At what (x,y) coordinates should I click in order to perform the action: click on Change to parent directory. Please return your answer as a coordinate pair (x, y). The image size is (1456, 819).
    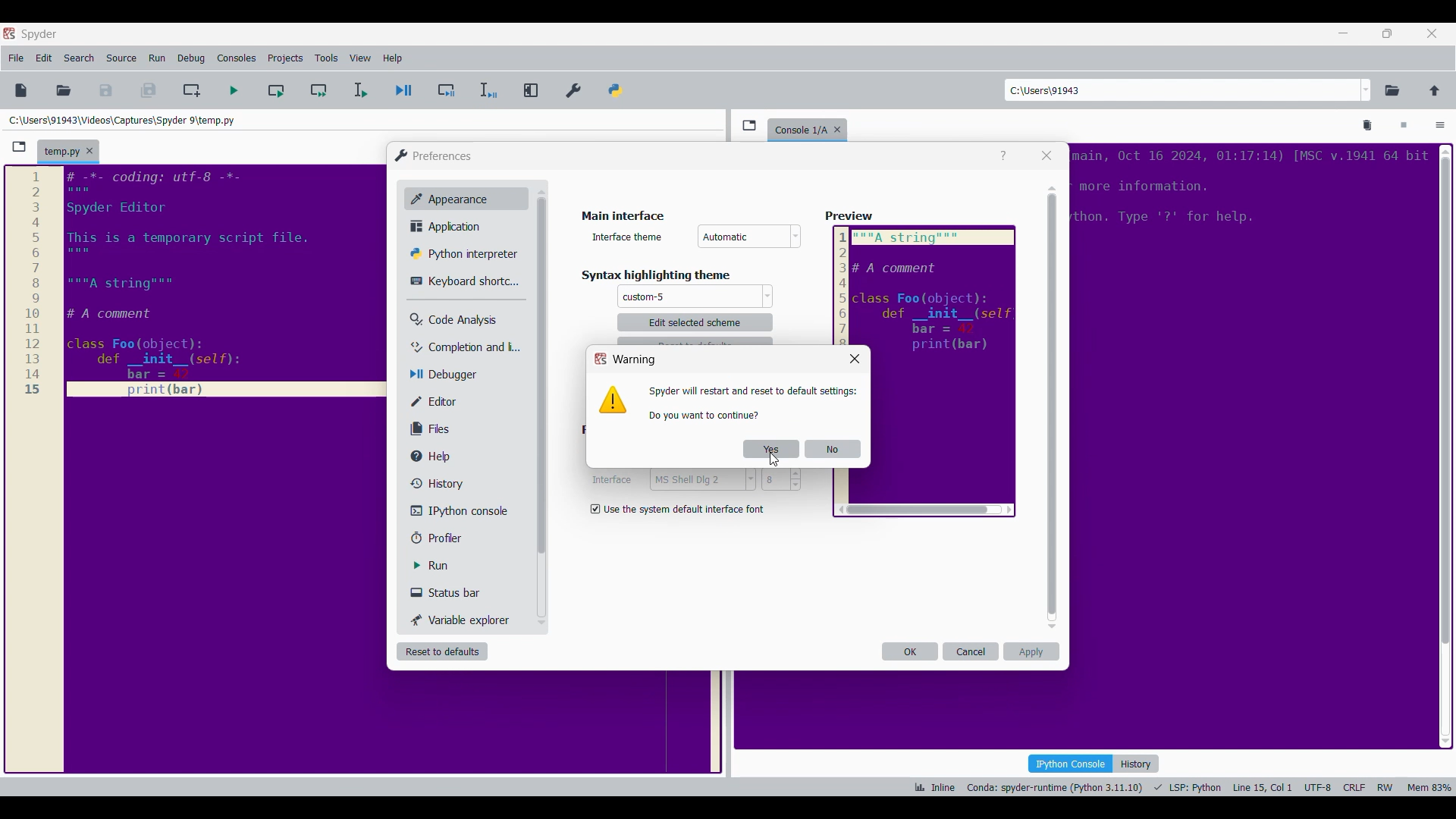
    Looking at the image, I should click on (1435, 91).